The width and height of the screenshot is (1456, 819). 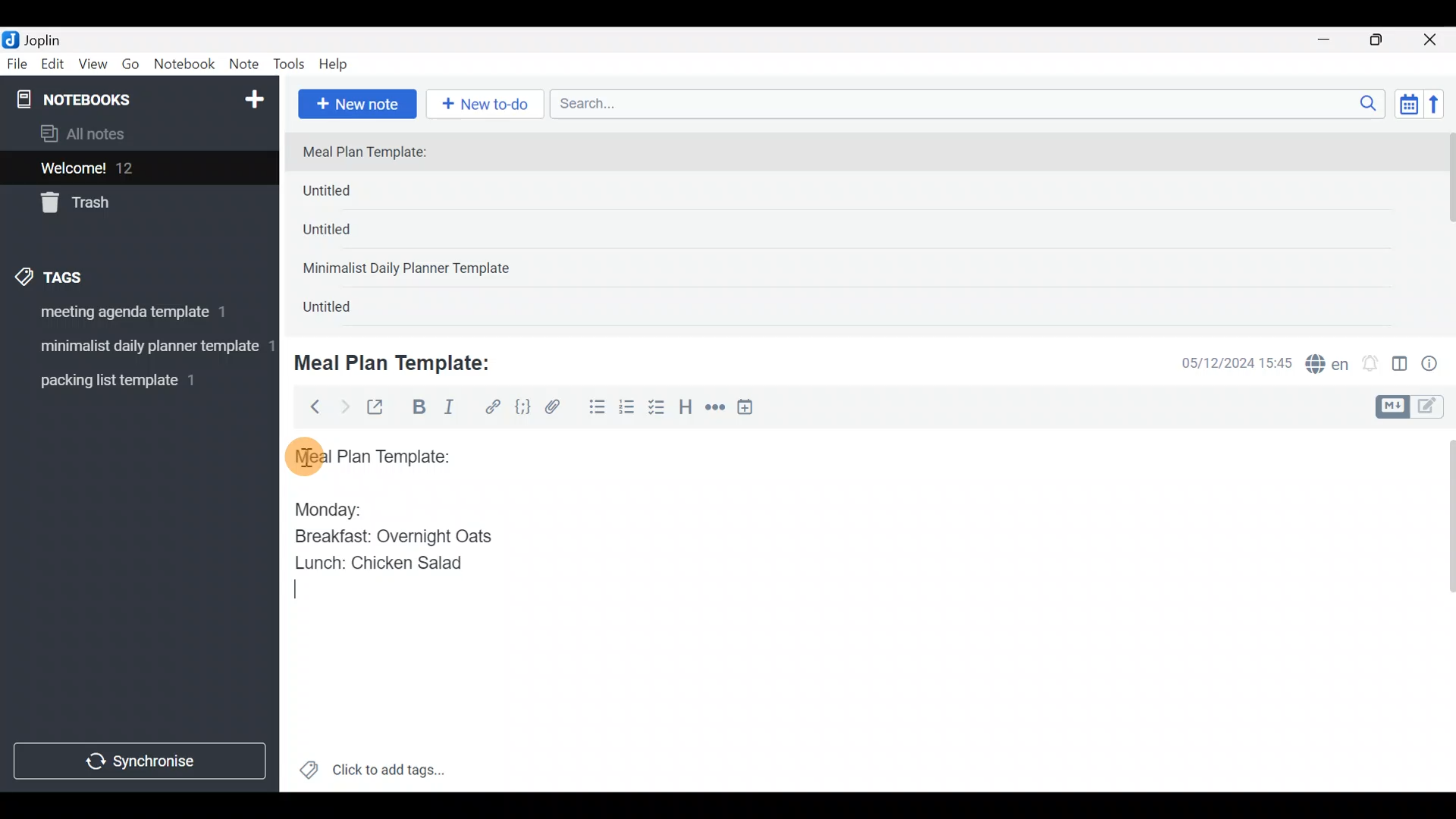 I want to click on Monday:, so click(x=318, y=507).